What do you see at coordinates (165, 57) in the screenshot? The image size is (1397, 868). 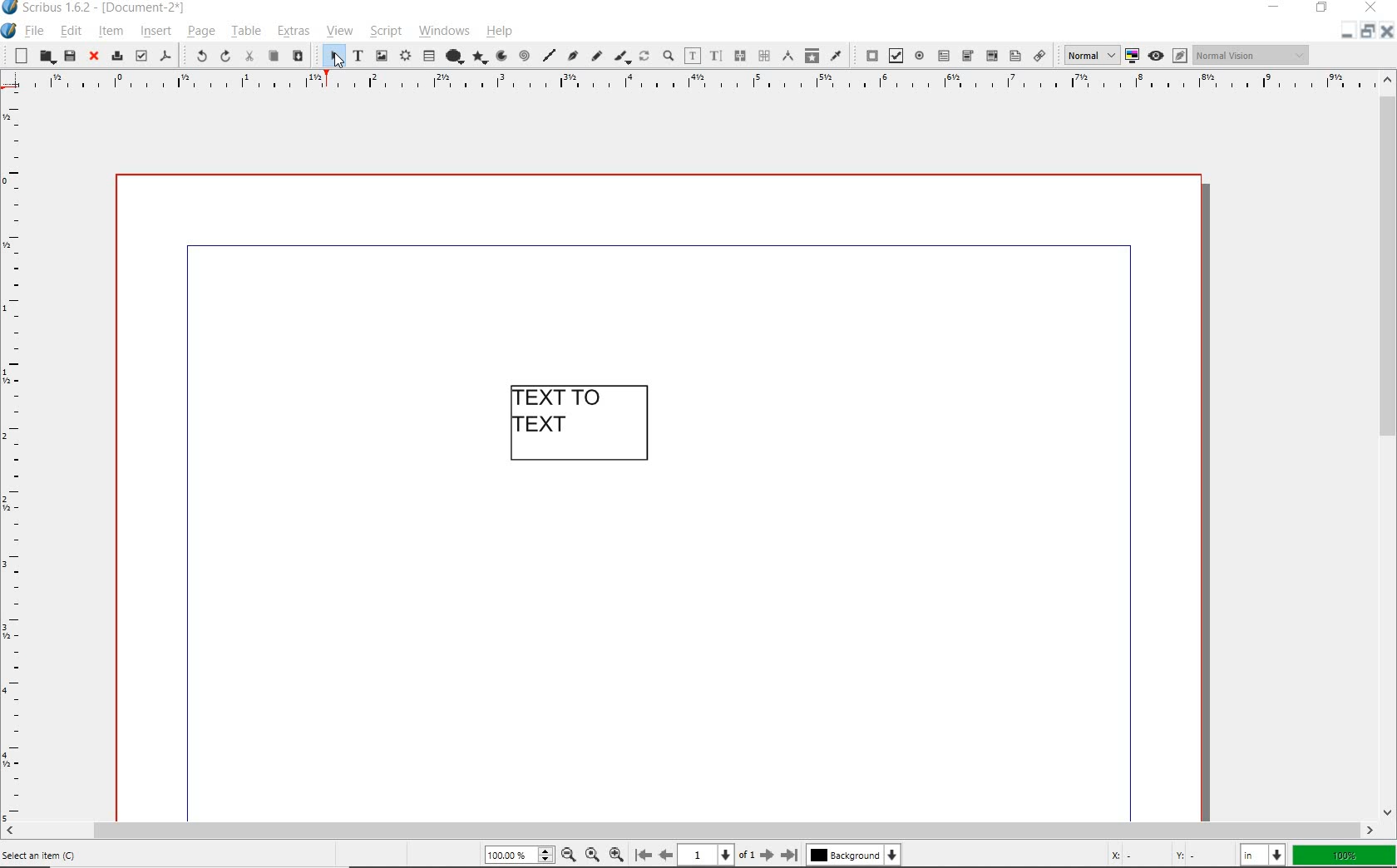 I see `save as pdf` at bounding box center [165, 57].